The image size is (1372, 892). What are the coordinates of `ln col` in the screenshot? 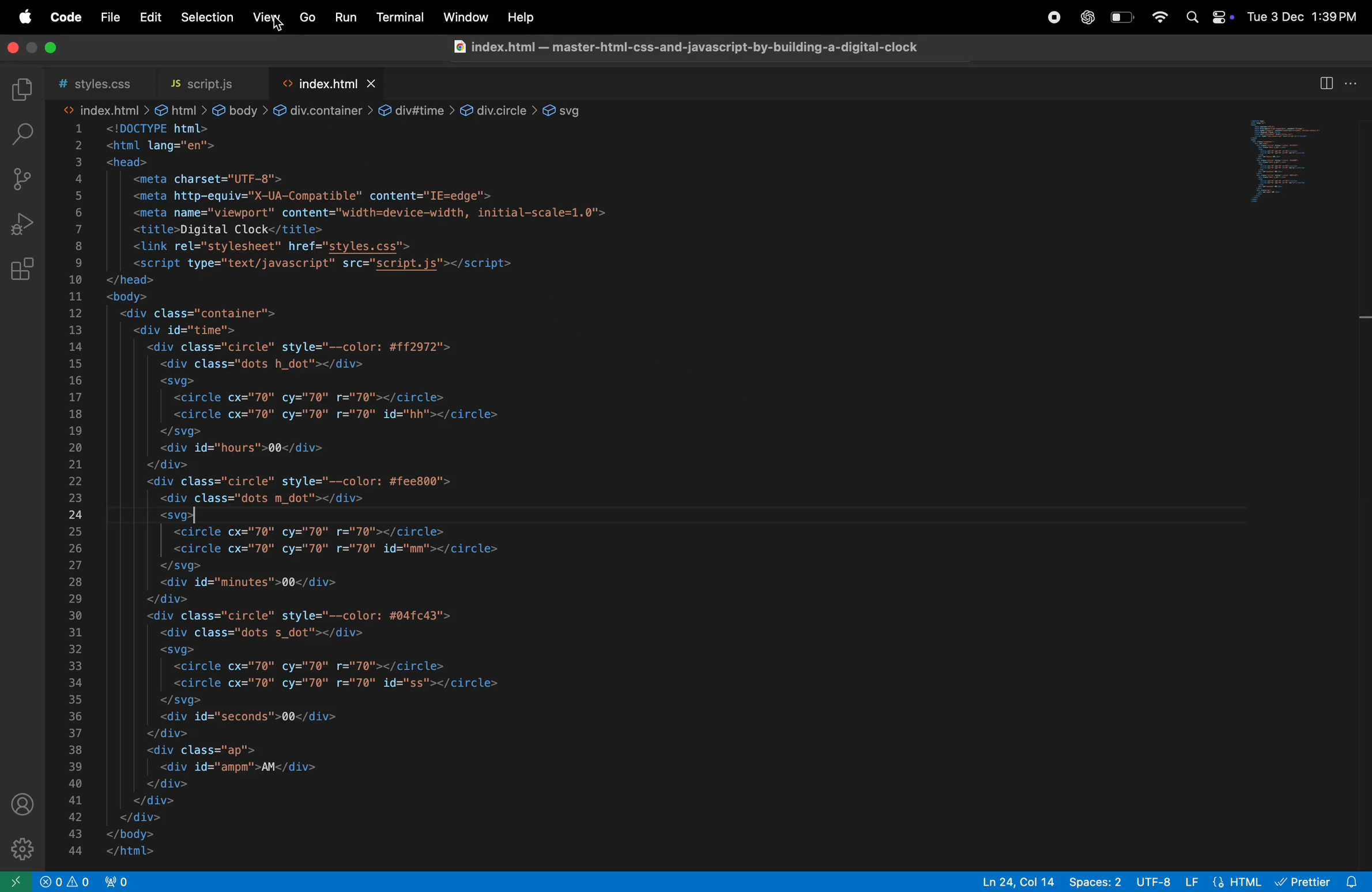 It's located at (1011, 882).